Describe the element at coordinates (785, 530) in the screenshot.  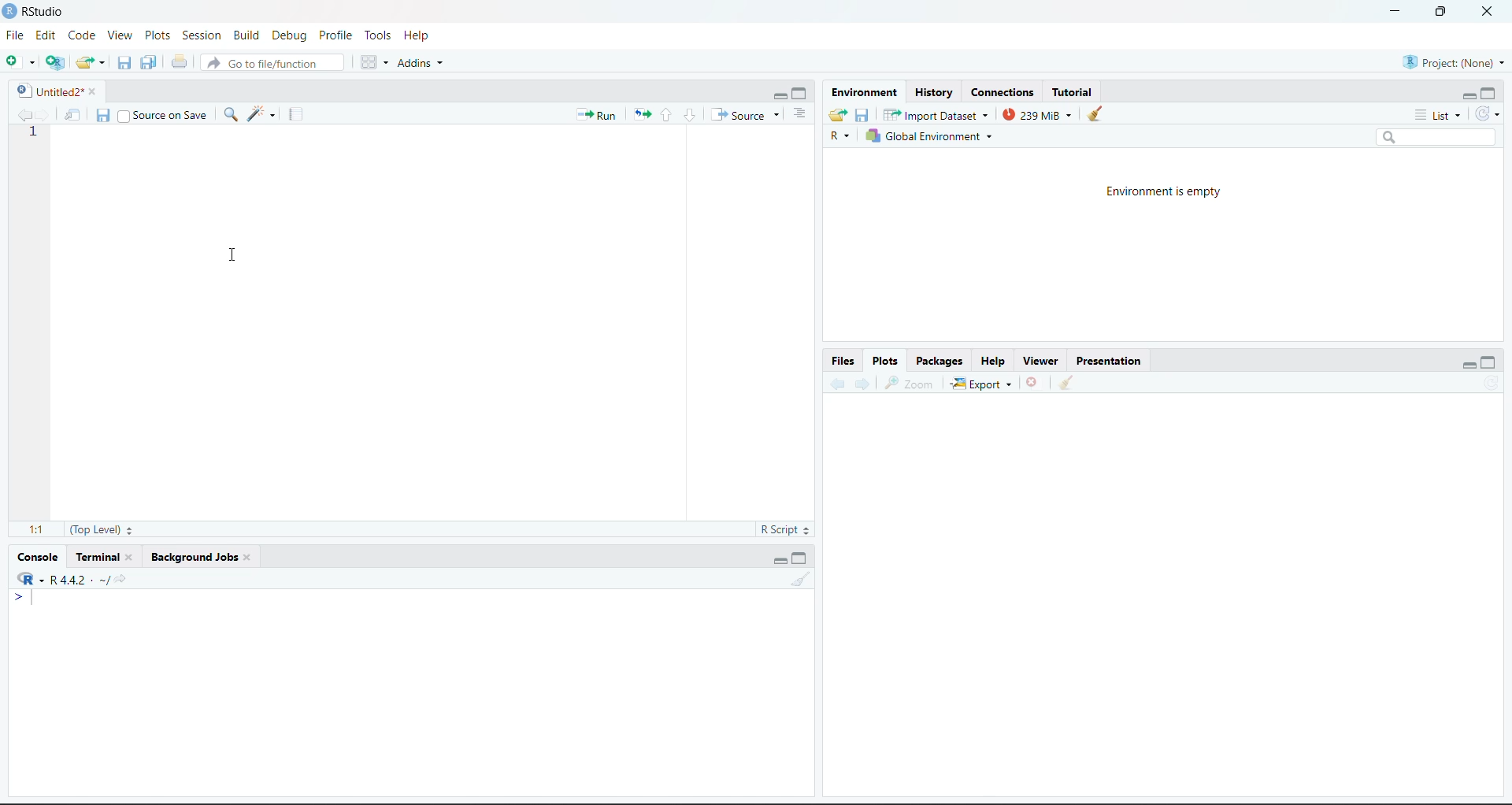
I see `R Script` at that location.